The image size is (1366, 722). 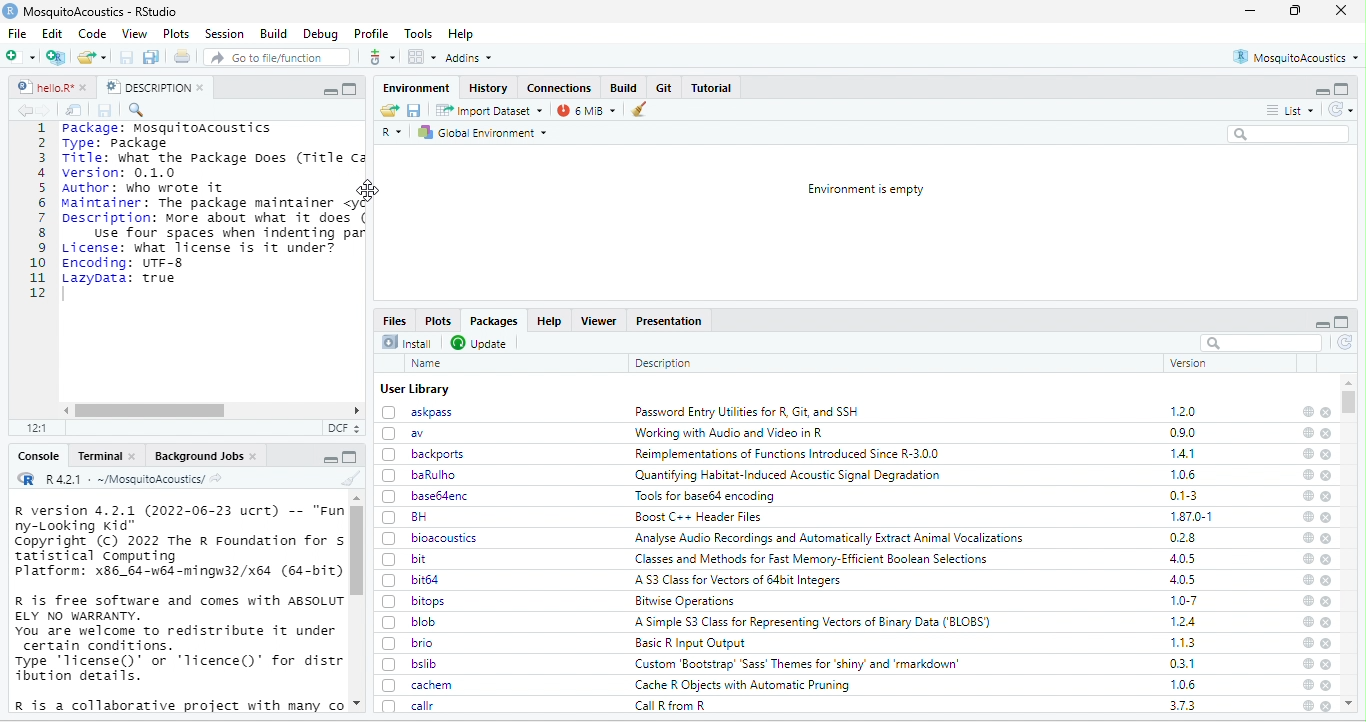 What do you see at coordinates (1250, 10) in the screenshot?
I see `minimize` at bounding box center [1250, 10].